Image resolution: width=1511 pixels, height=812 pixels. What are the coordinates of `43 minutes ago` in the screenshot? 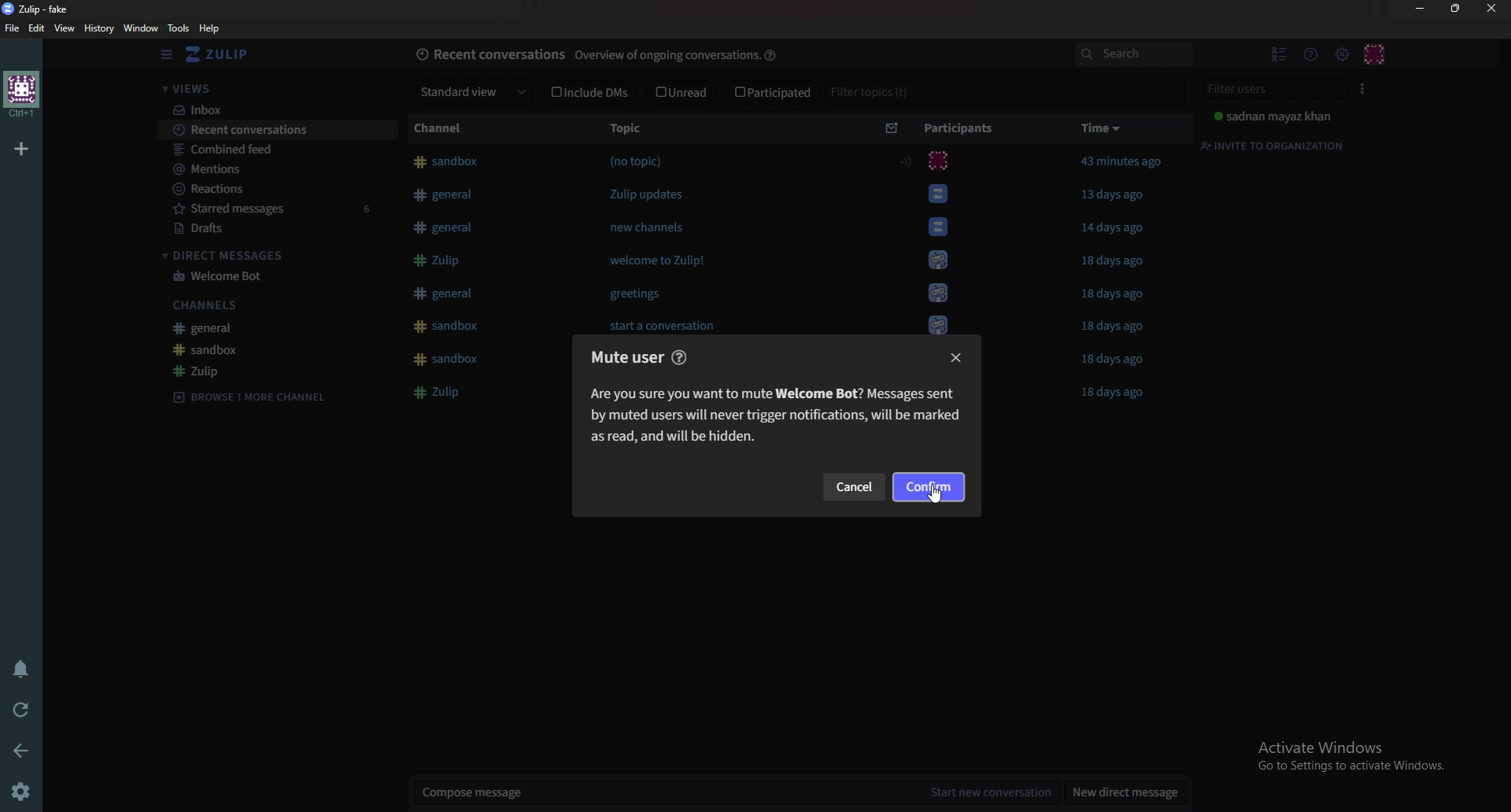 It's located at (1130, 163).